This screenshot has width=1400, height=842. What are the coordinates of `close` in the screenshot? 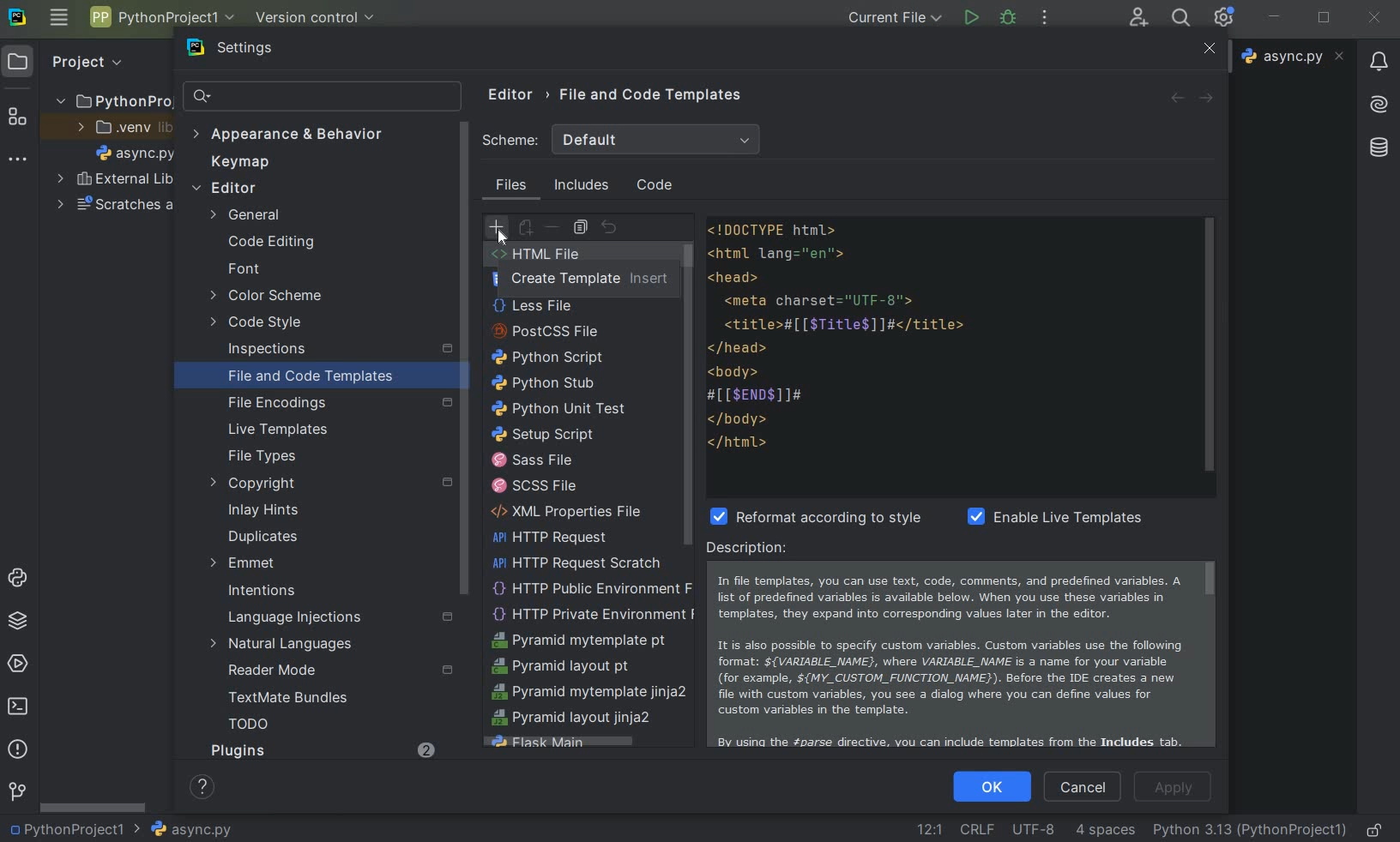 It's located at (1375, 17).